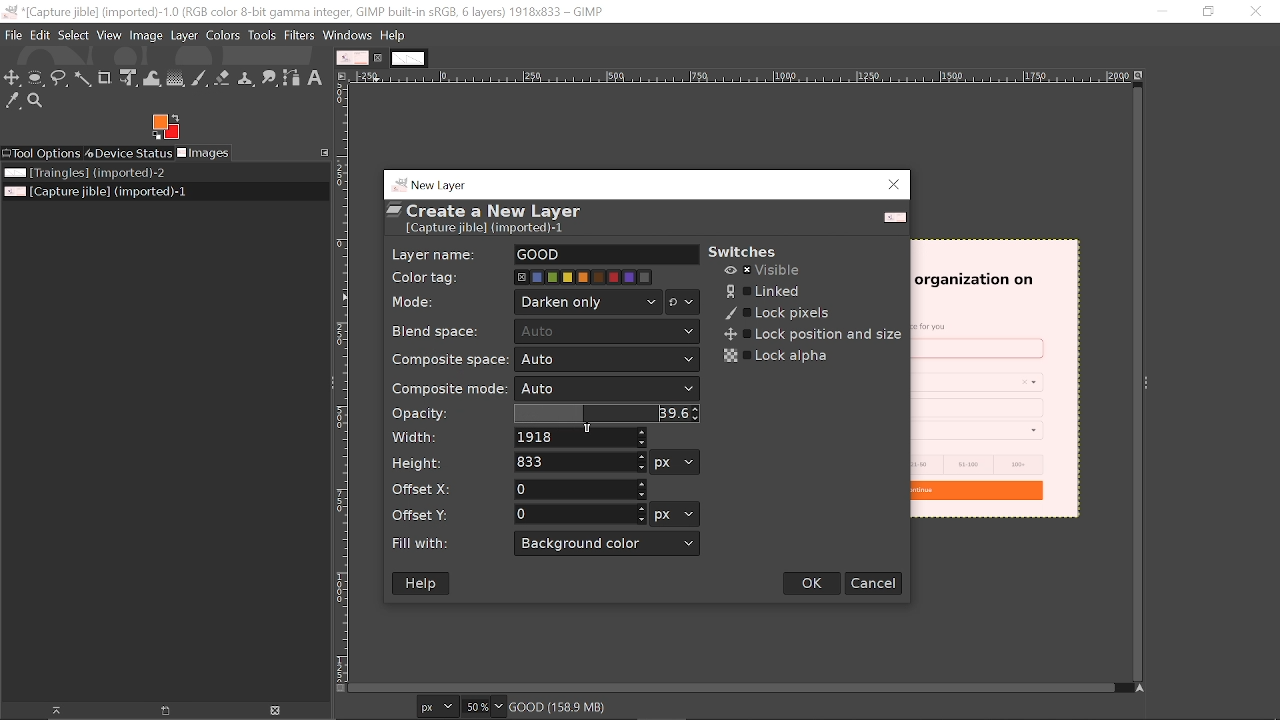 The width and height of the screenshot is (1280, 720). What do you see at coordinates (152, 78) in the screenshot?
I see `Wrap text tool` at bounding box center [152, 78].